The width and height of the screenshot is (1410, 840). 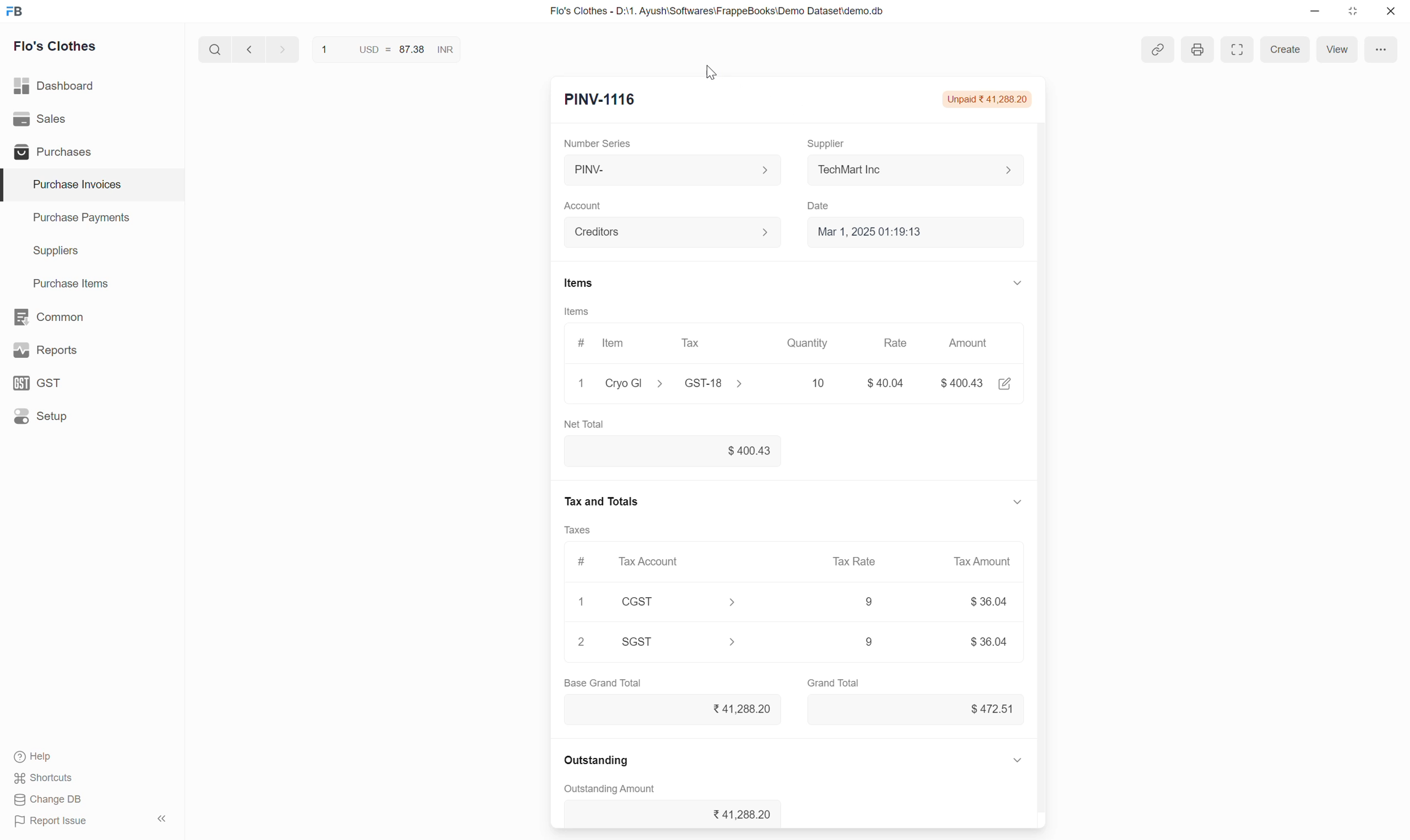 What do you see at coordinates (903, 342) in the screenshot?
I see `Rate` at bounding box center [903, 342].